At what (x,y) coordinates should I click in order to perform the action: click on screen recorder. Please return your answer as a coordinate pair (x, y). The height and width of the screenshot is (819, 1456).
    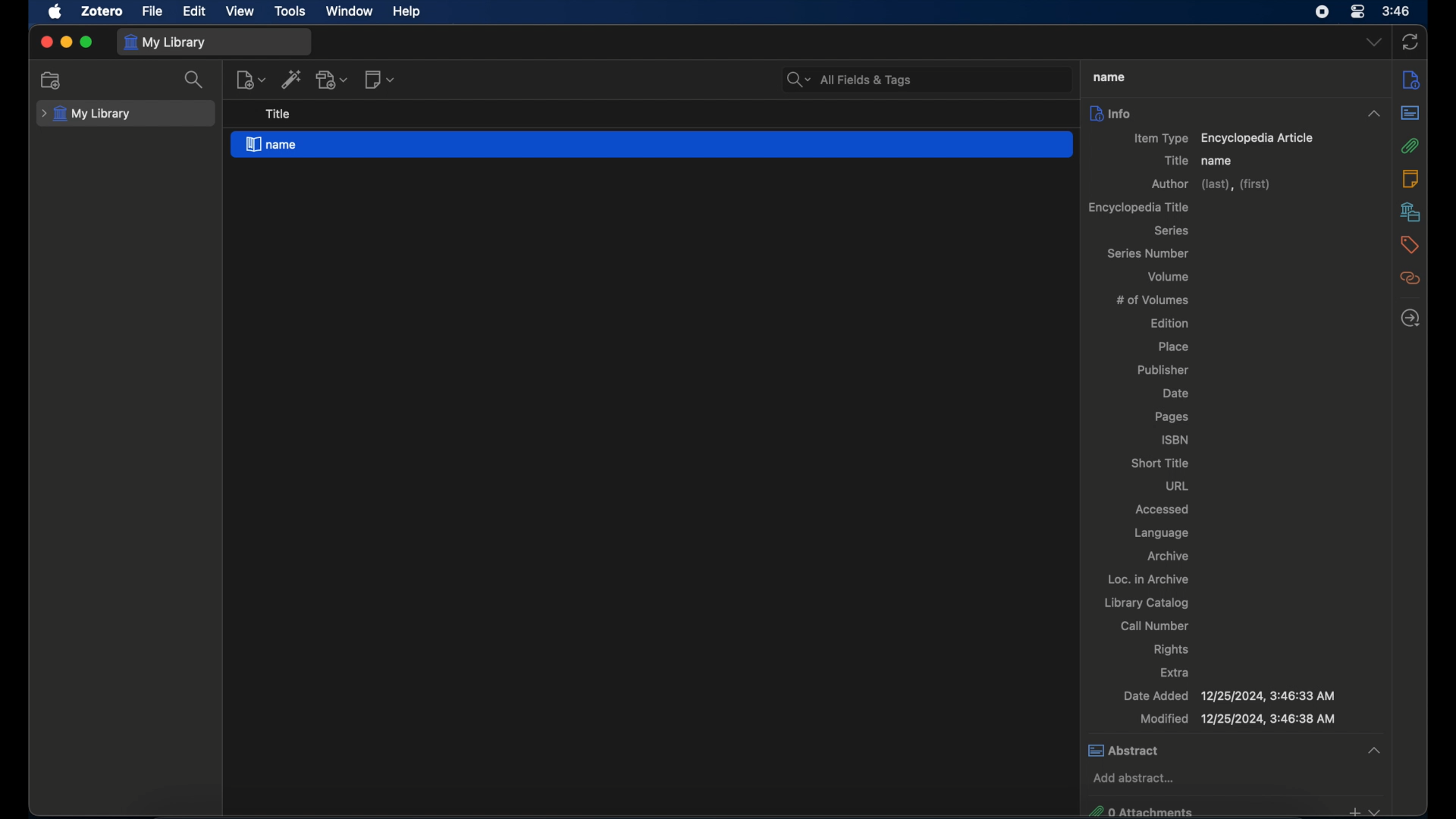
    Looking at the image, I should click on (1323, 11).